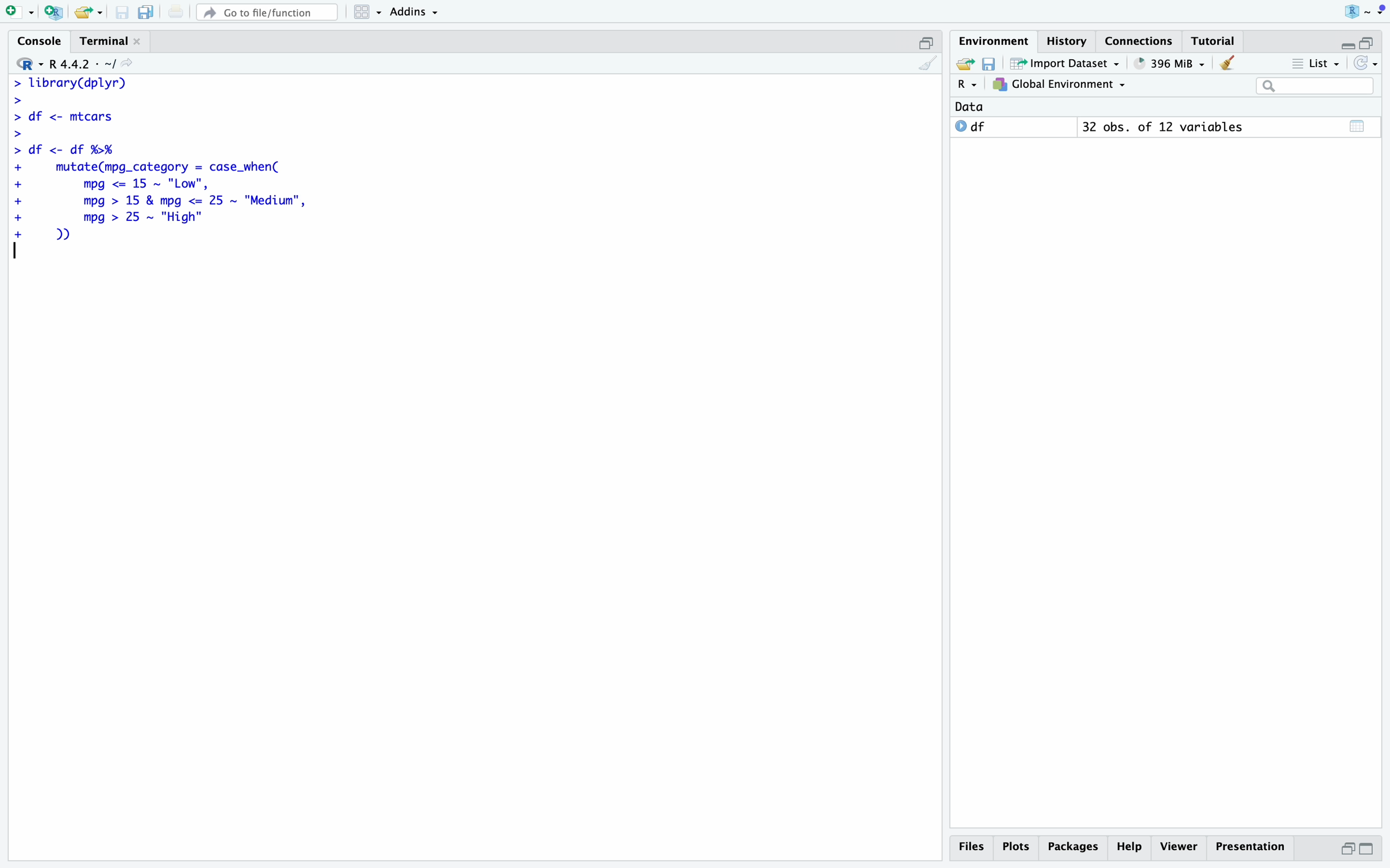 This screenshot has width=1390, height=868. Describe the element at coordinates (1018, 848) in the screenshot. I see `plots` at that location.